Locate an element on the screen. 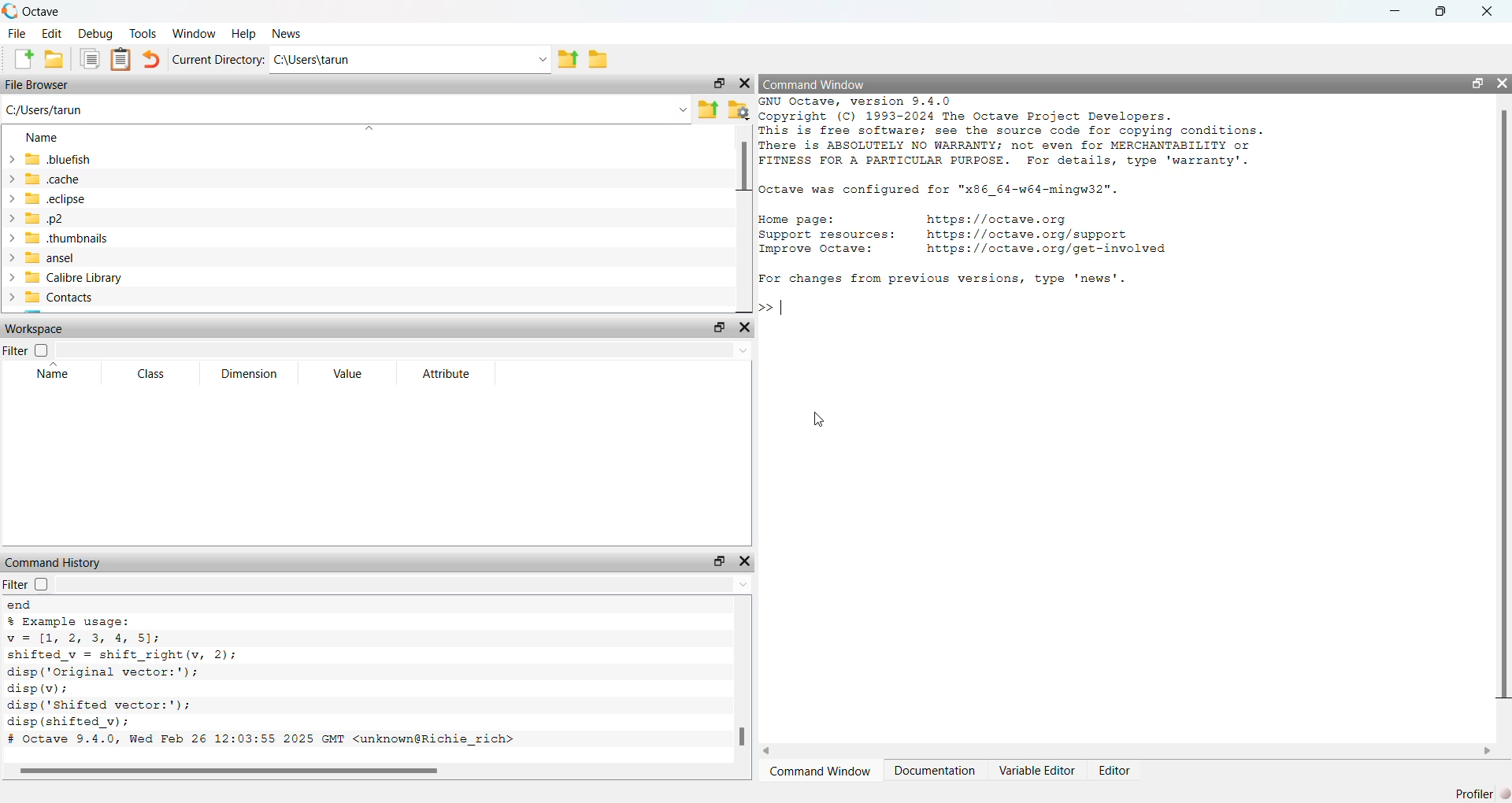 The height and width of the screenshot is (803, 1512). enter the path or filename is located at coordinates (345, 110).